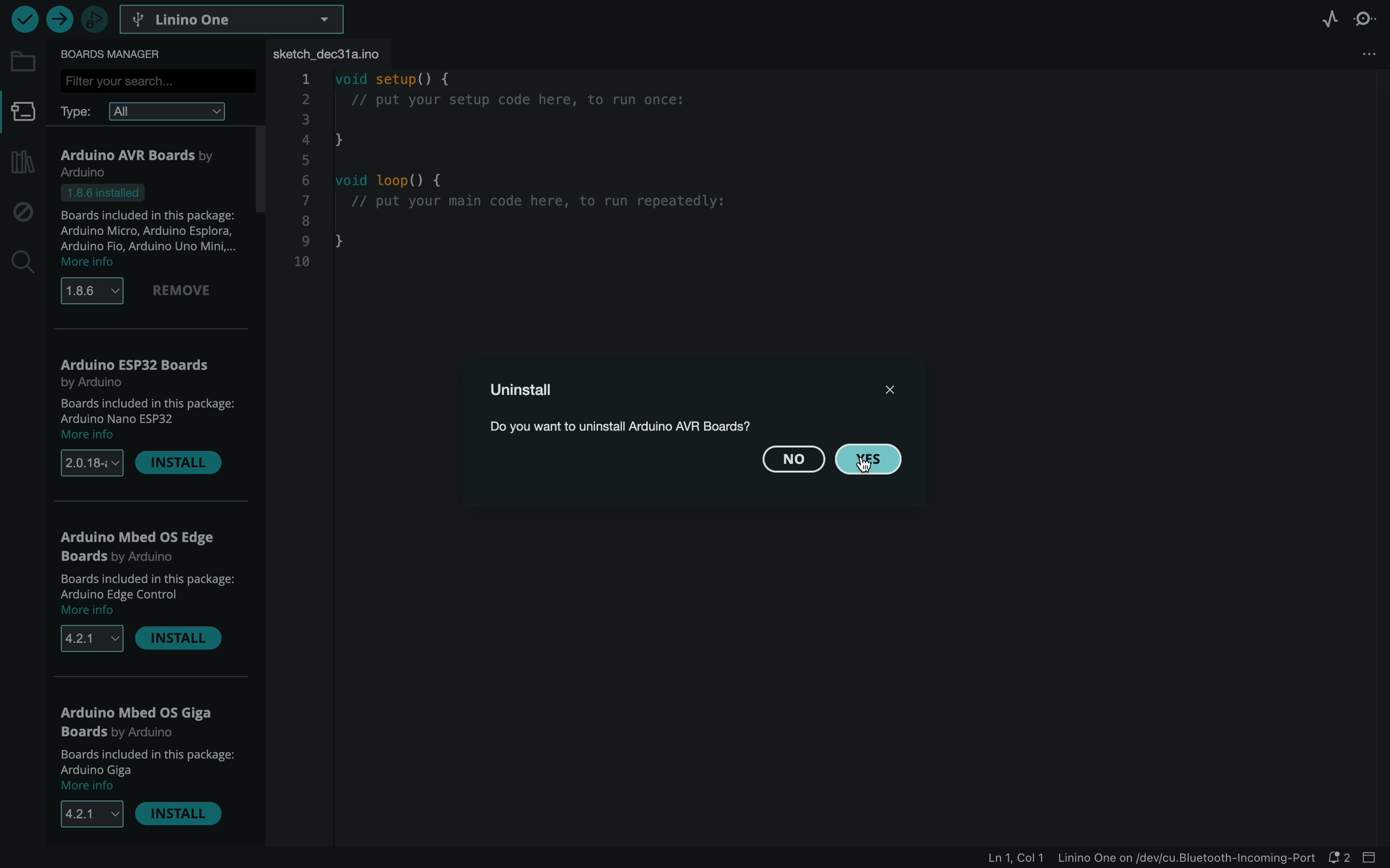 This screenshot has height=868, width=1390. What do you see at coordinates (184, 292) in the screenshot?
I see `remove` at bounding box center [184, 292].